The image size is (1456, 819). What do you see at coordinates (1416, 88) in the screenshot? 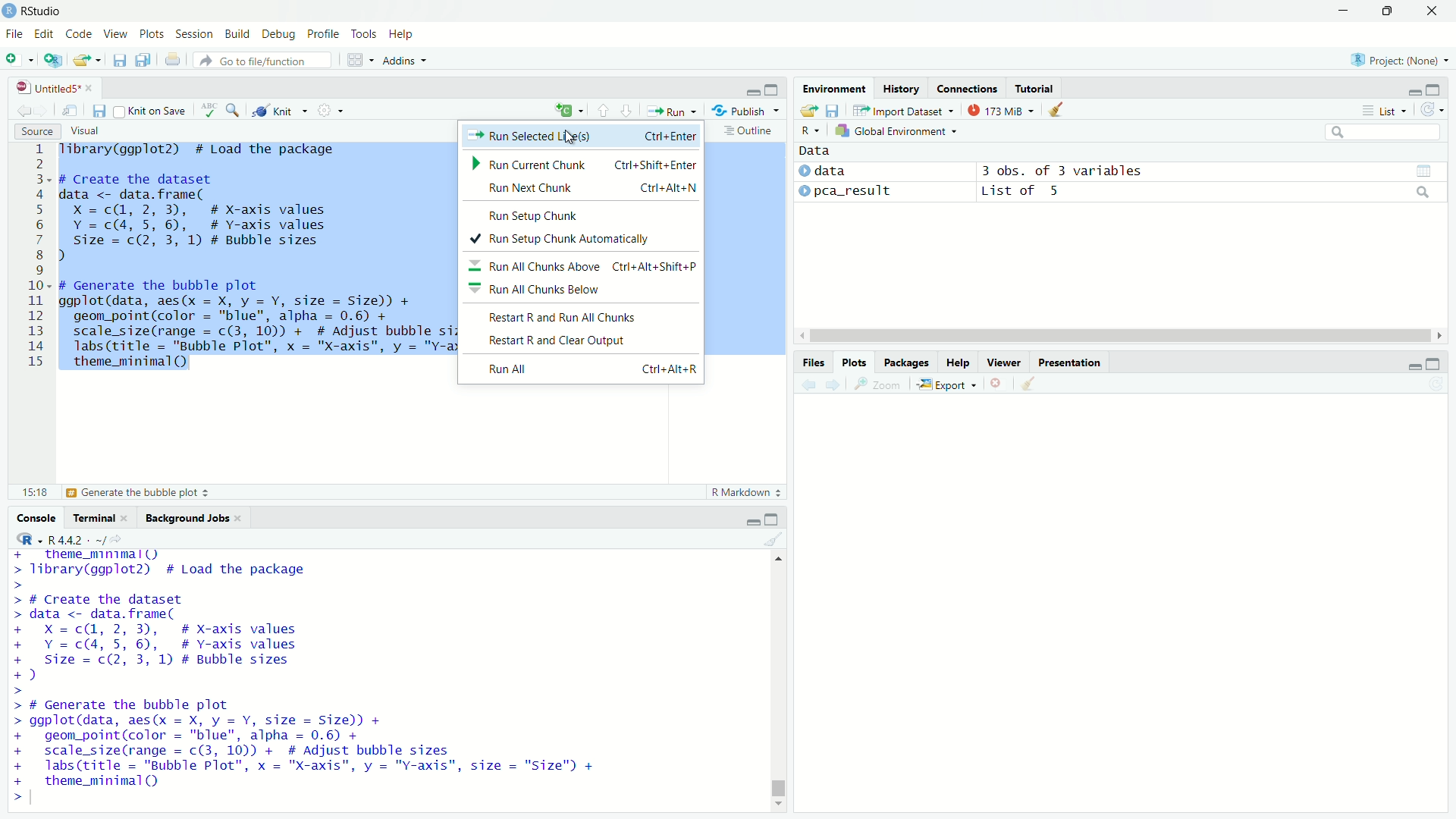
I see `minimize` at bounding box center [1416, 88].